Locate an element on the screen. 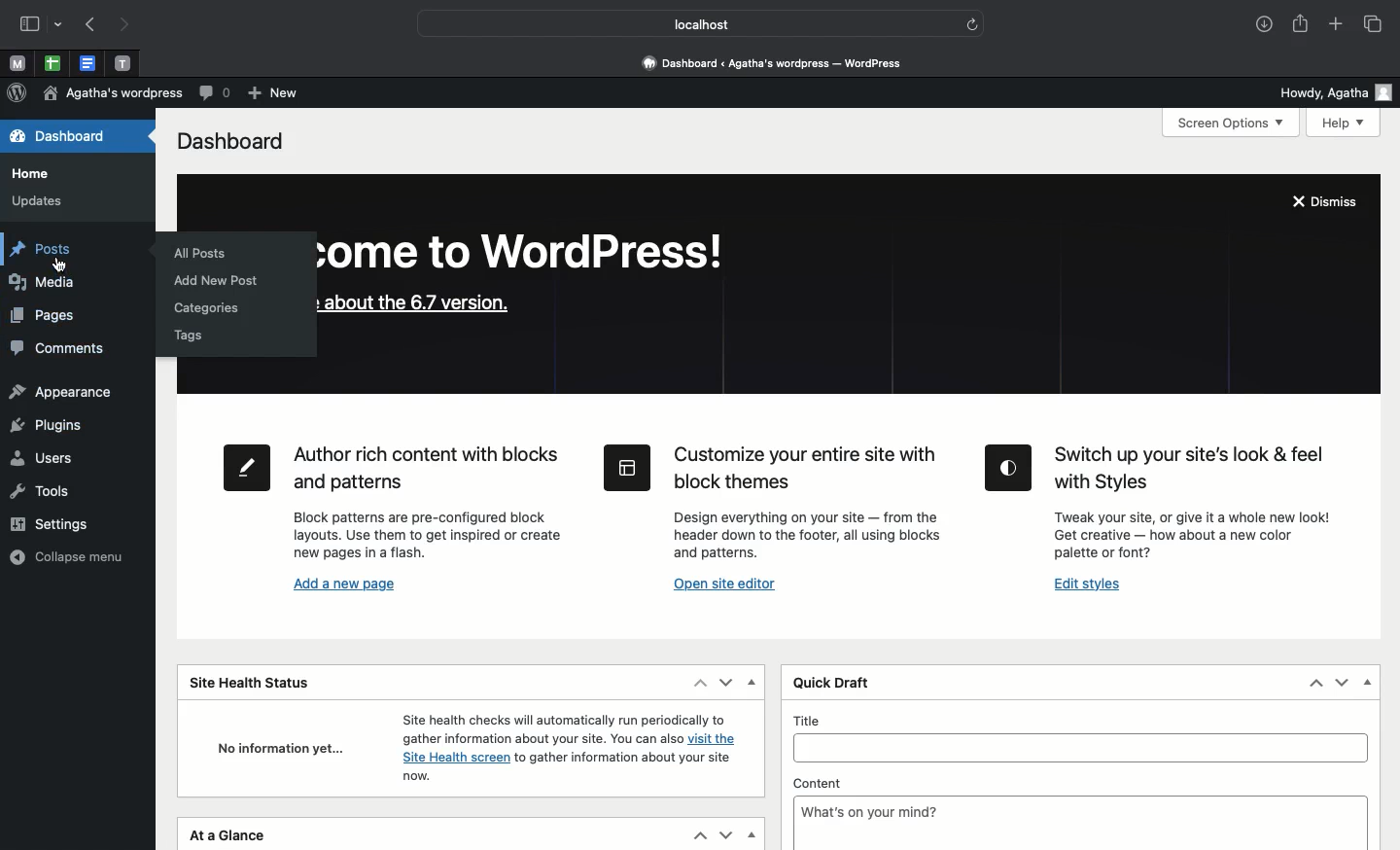  Title is located at coordinates (1080, 747).